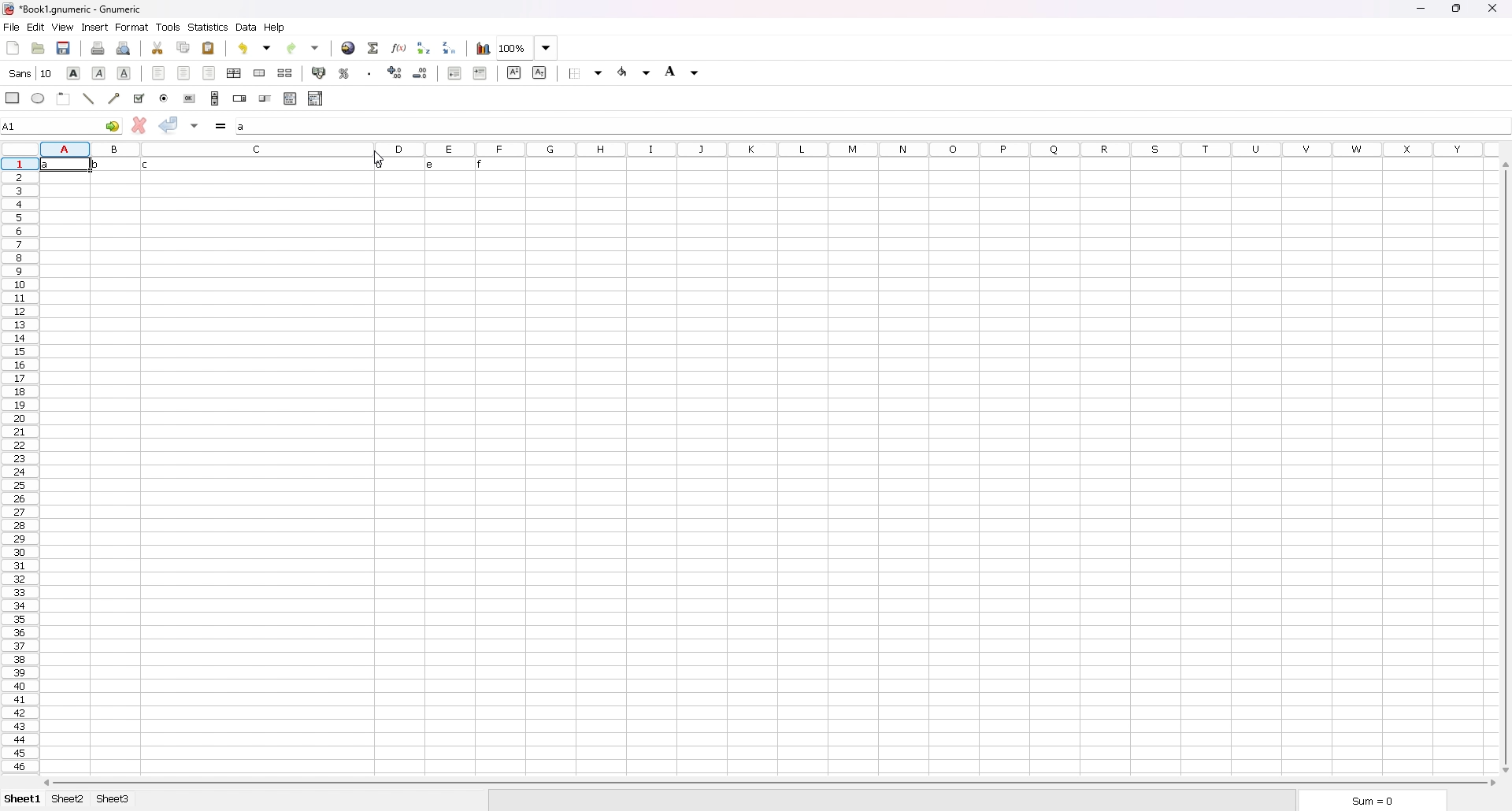 The width and height of the screenshot is (1512, 811). I want to click on subscript, so click(539, 72).